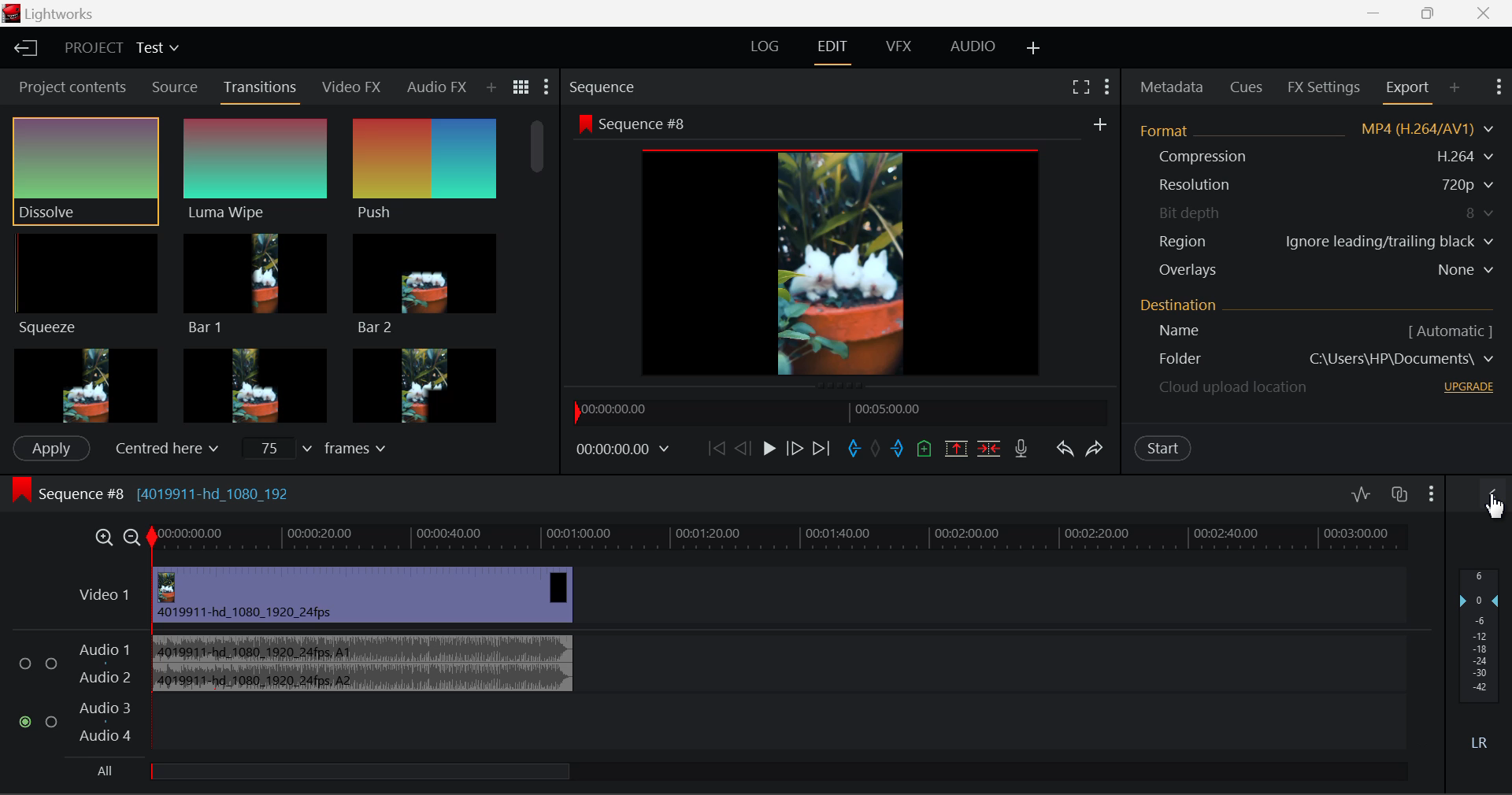 This screenshot has height=795, width=1512. I want to click on Scroll Bar, so click(535, 269).